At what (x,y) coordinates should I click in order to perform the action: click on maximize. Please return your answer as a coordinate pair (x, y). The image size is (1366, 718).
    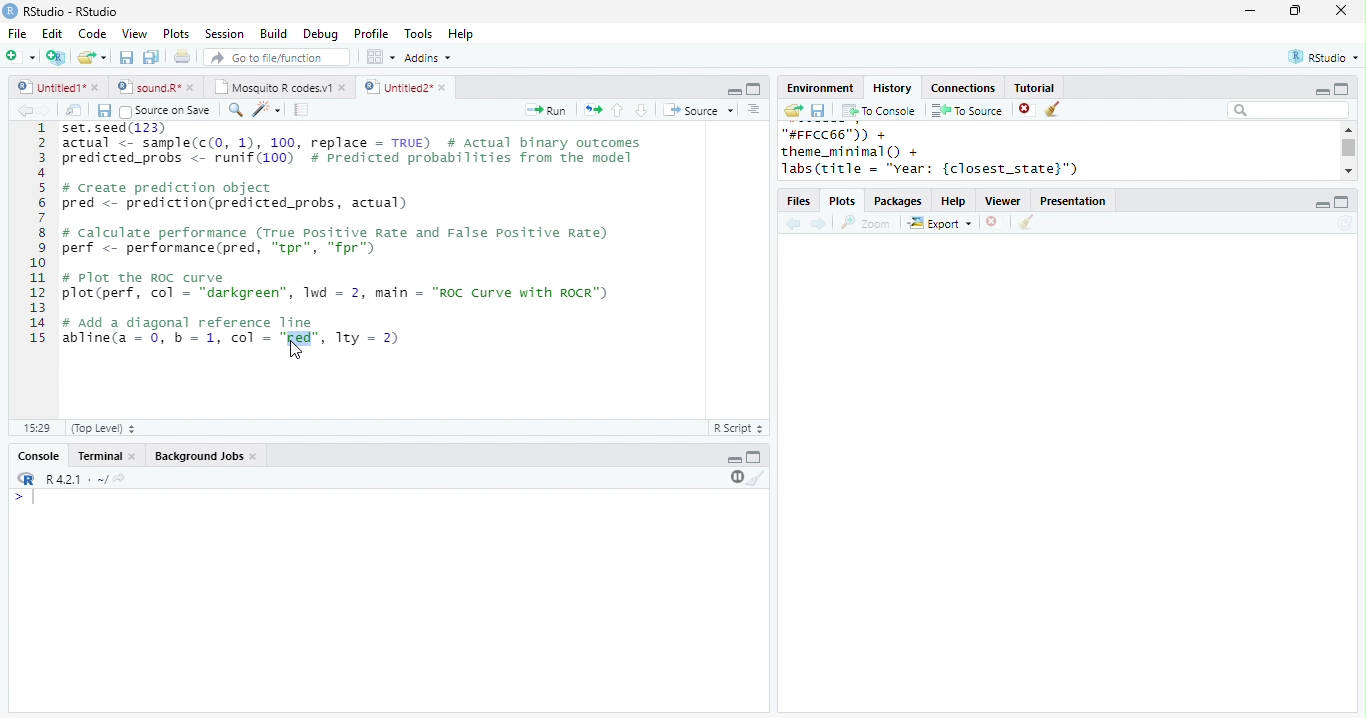
    Looking at the image, I should click on (754, 456).